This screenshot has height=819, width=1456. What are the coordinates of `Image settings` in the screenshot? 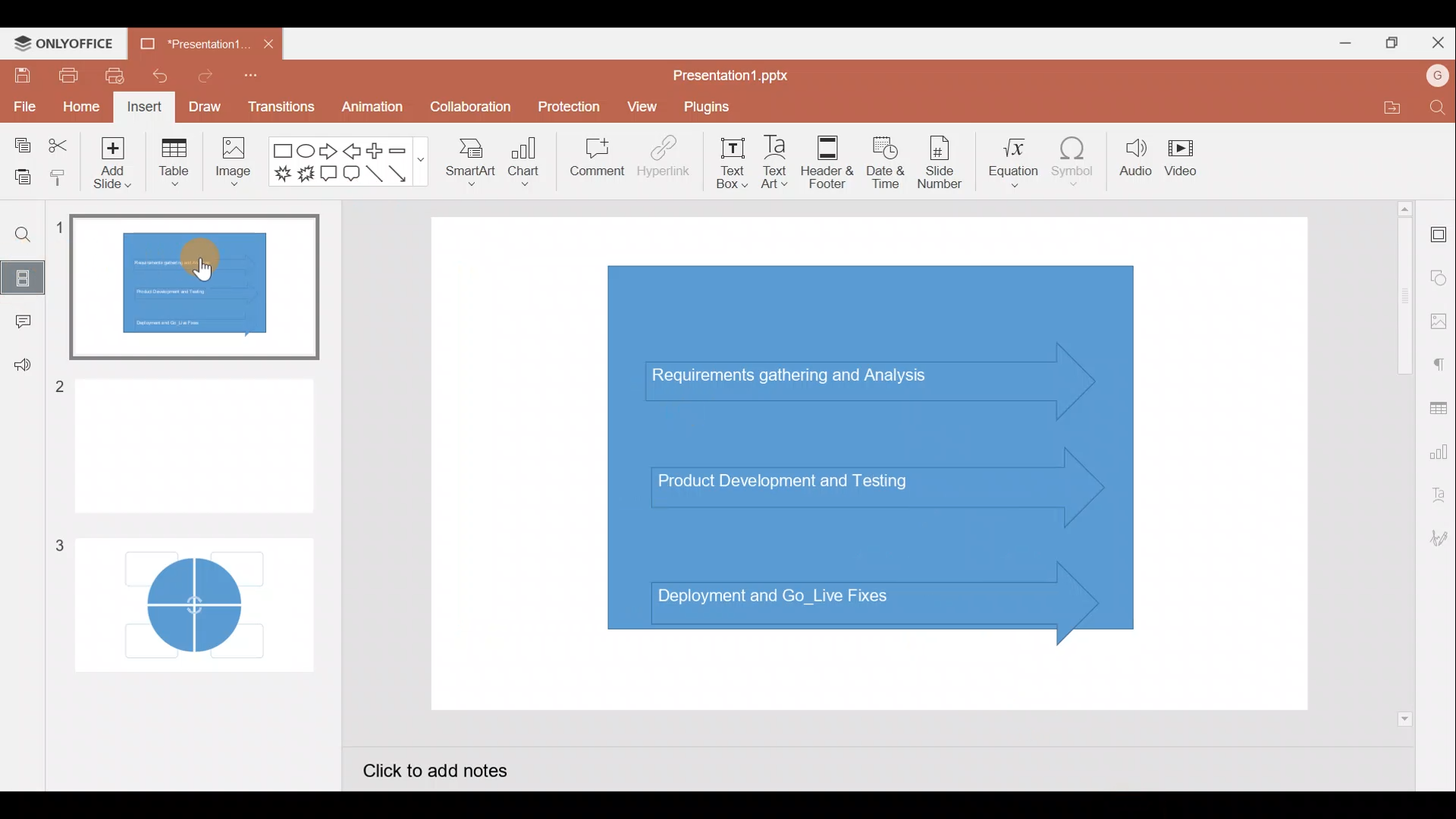 It's located at (1437, 318).